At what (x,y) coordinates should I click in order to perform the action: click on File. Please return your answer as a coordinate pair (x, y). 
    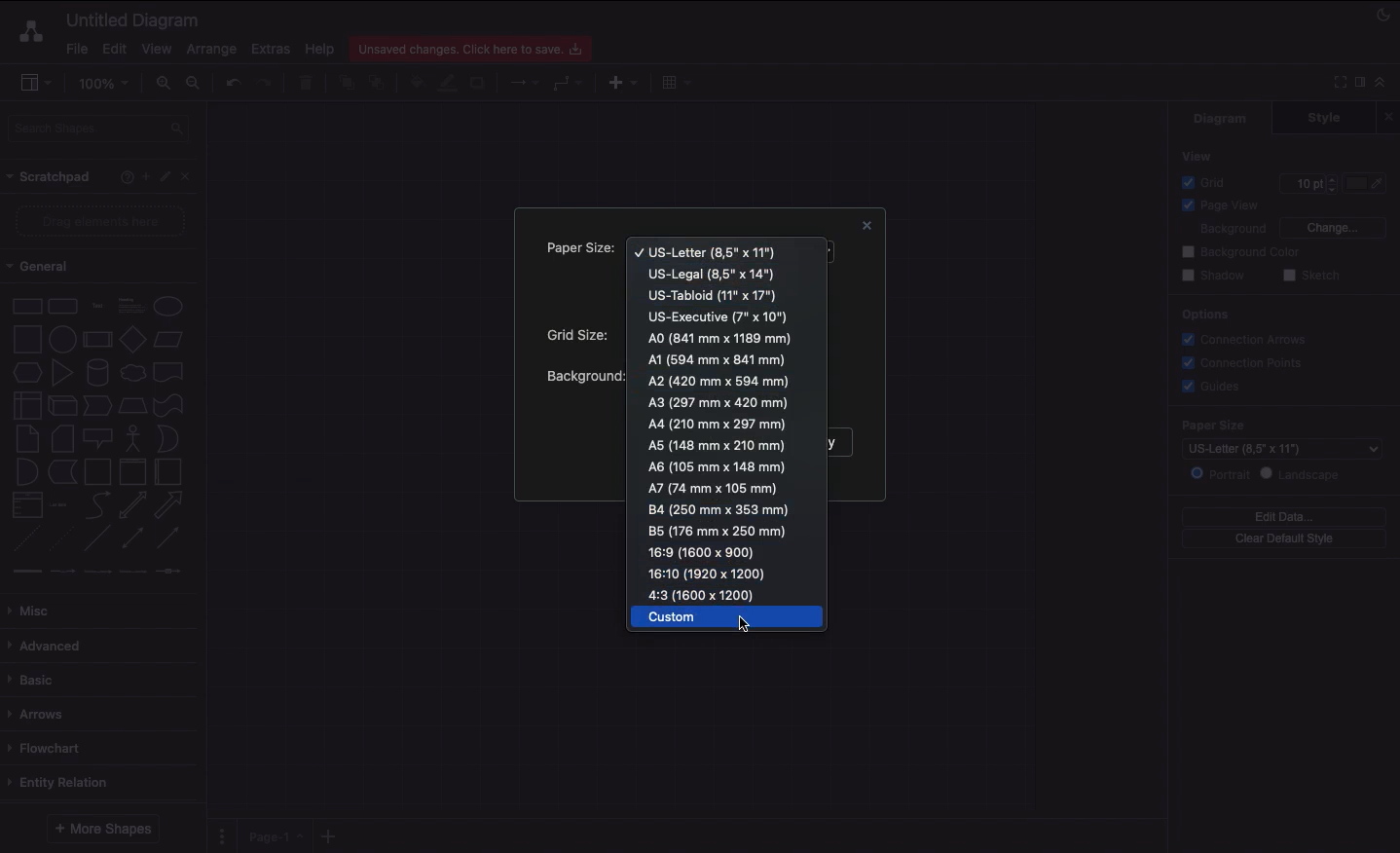
    Looking at the image, I should click on (75, 49).